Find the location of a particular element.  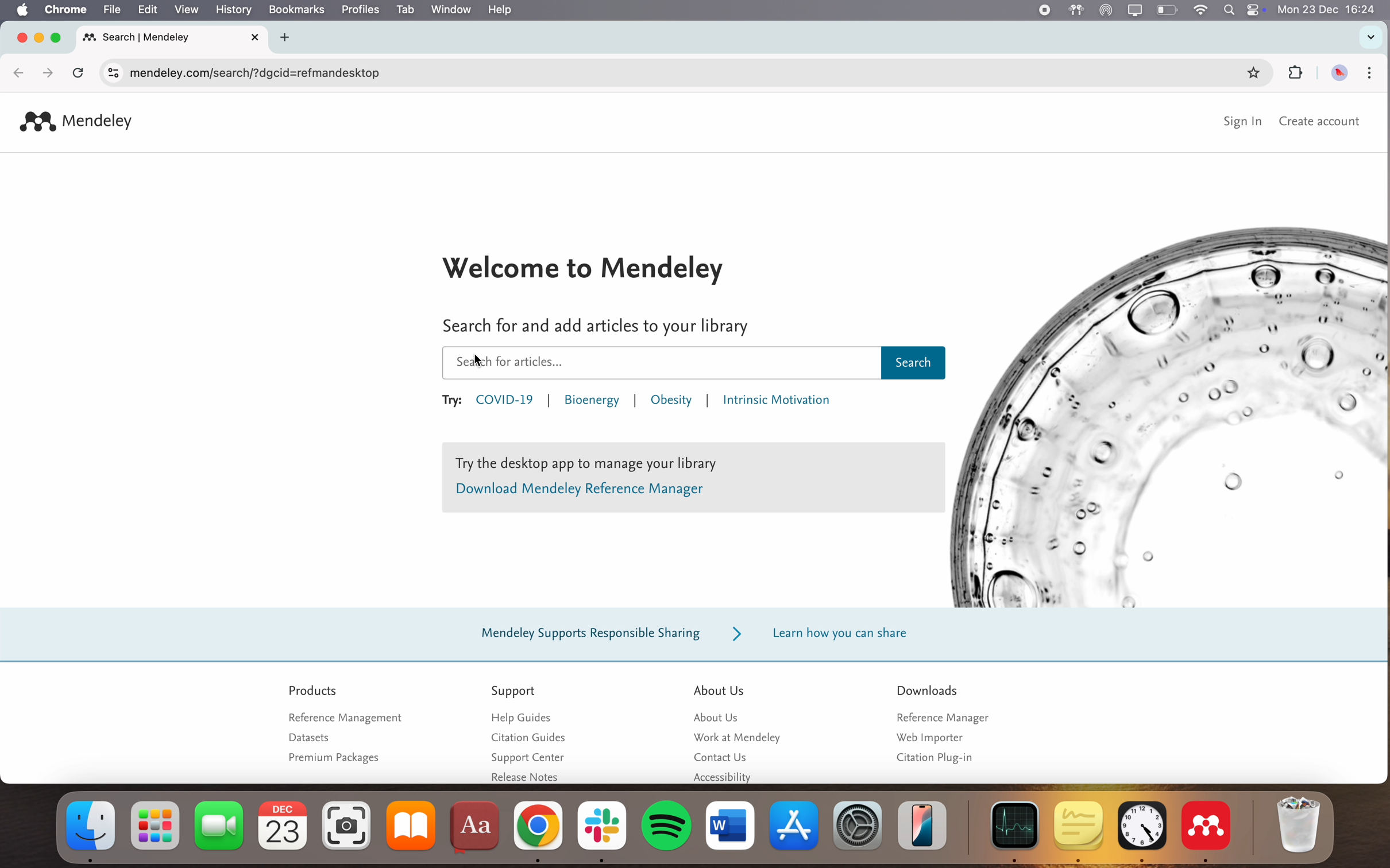

products is located at coordinates (315, 690).